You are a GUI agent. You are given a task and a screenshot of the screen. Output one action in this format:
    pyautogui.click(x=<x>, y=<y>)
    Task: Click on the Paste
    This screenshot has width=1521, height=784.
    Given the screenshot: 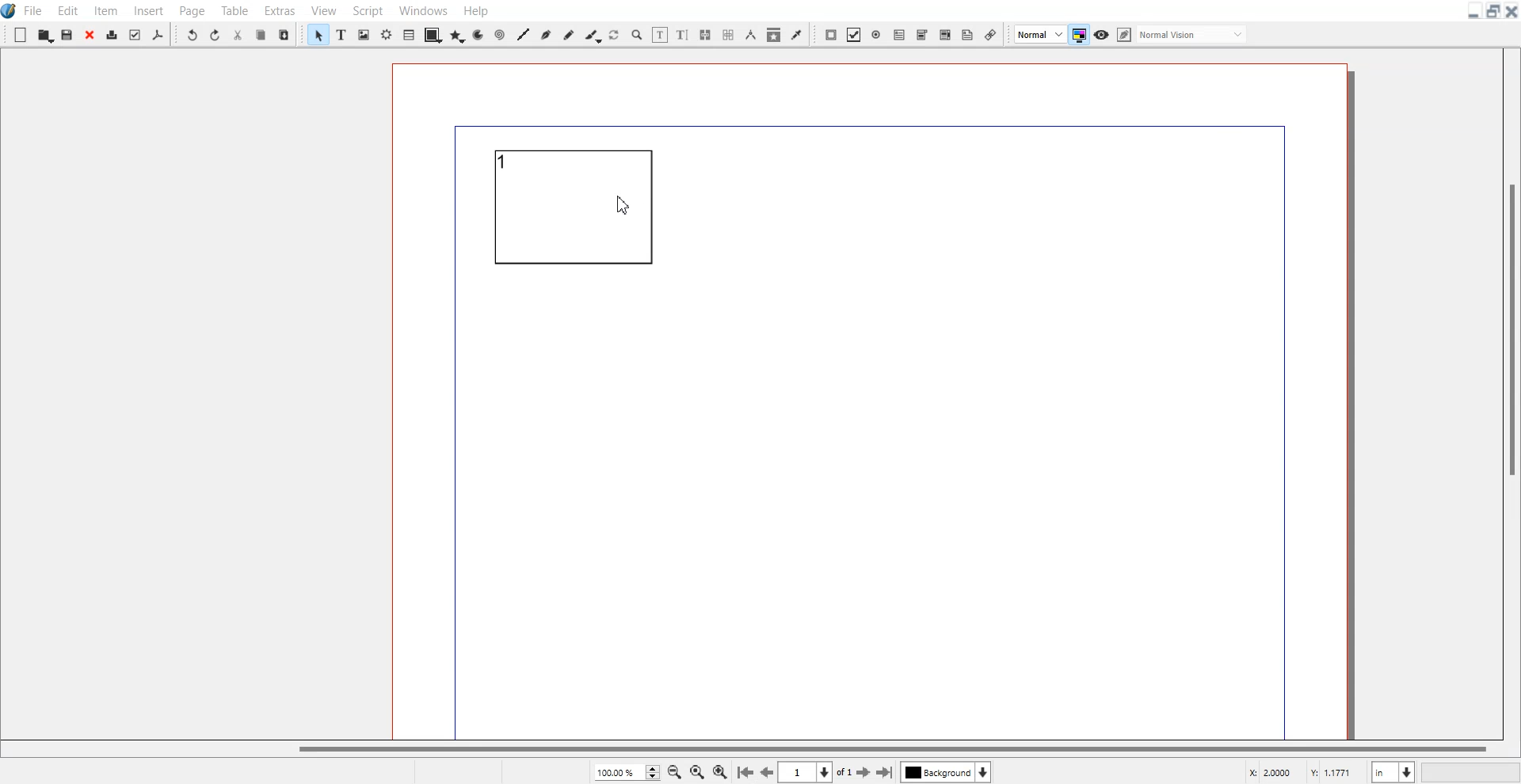 What is the action you would take?
    pyautogui.click(x=284, y=34)
    